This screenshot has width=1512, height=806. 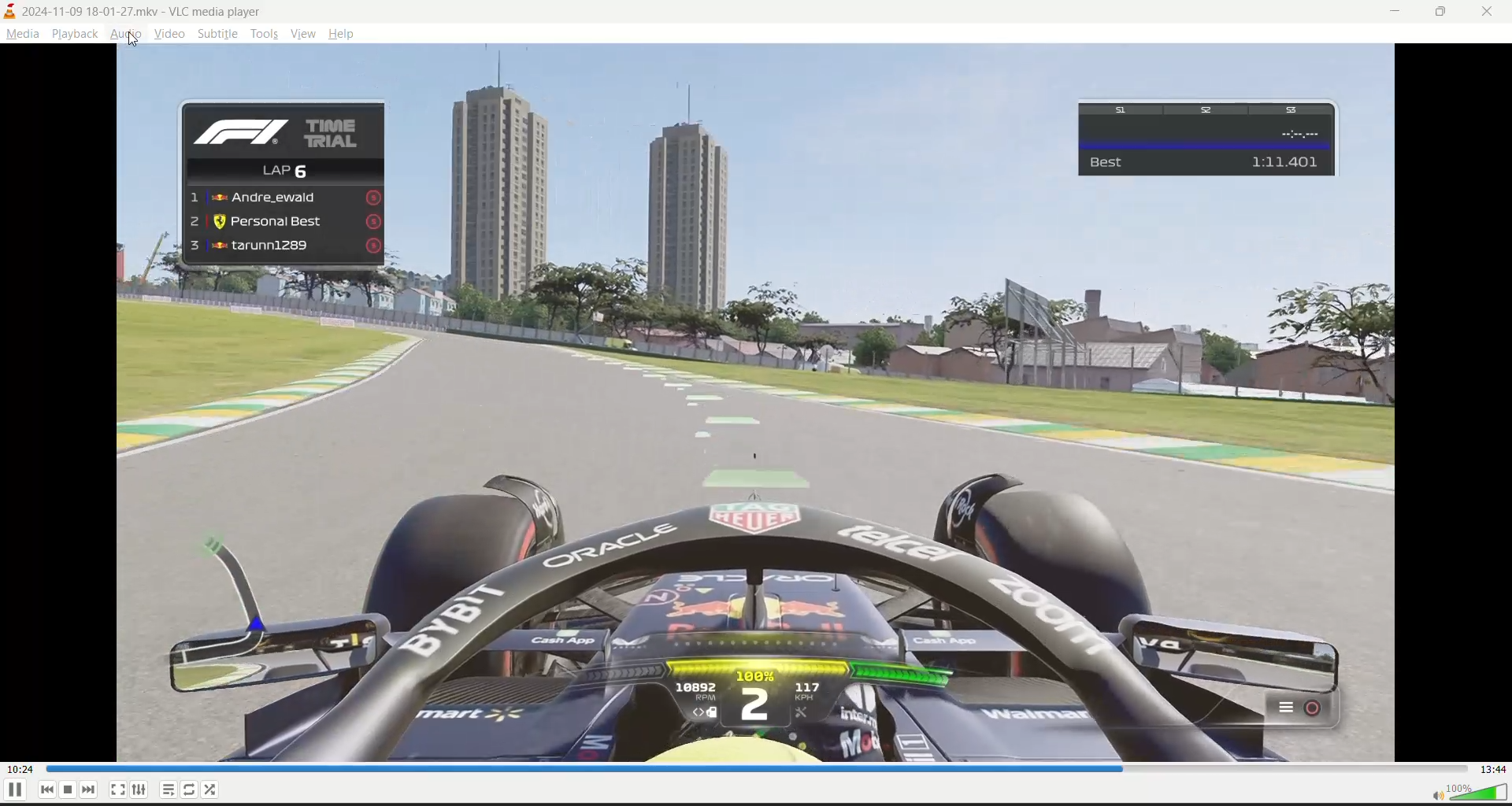 What do you see at coordinates (756, 527) in the screenshot?
I see `preview` at bounding box center [756, 527].